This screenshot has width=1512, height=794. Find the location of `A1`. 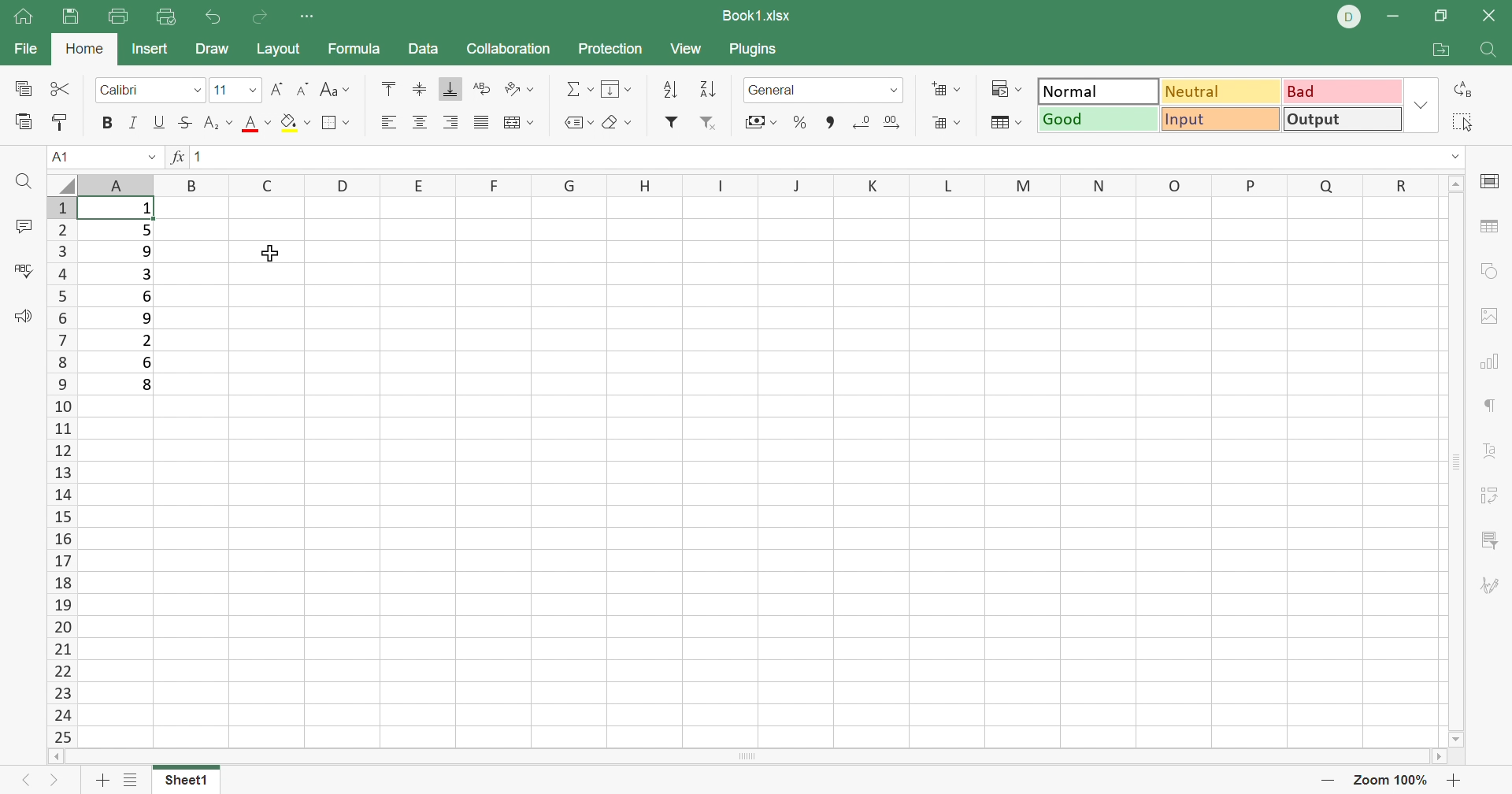

A1 is located at coordinates (62, 157).